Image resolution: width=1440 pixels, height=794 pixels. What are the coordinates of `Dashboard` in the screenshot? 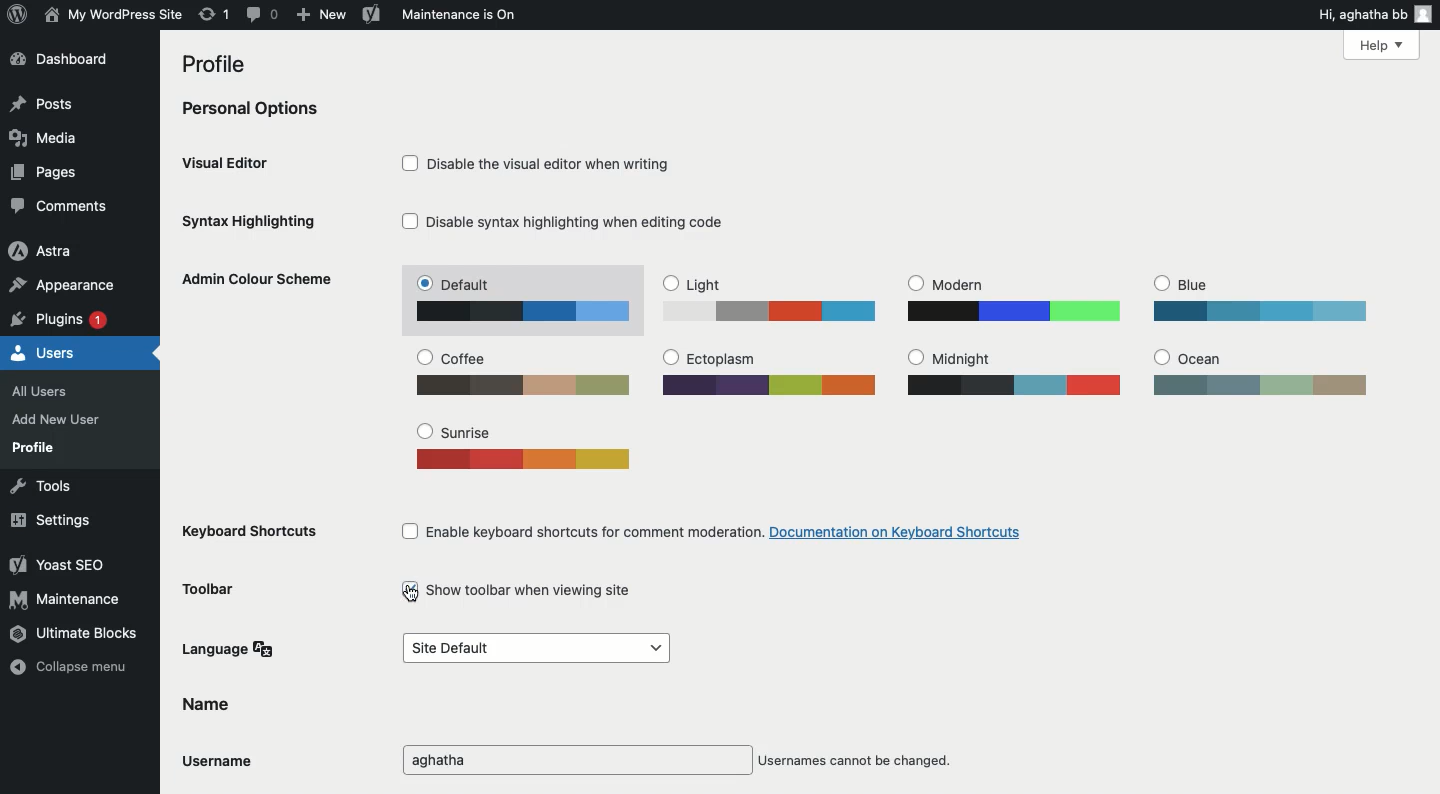 It's located at (60, 59).